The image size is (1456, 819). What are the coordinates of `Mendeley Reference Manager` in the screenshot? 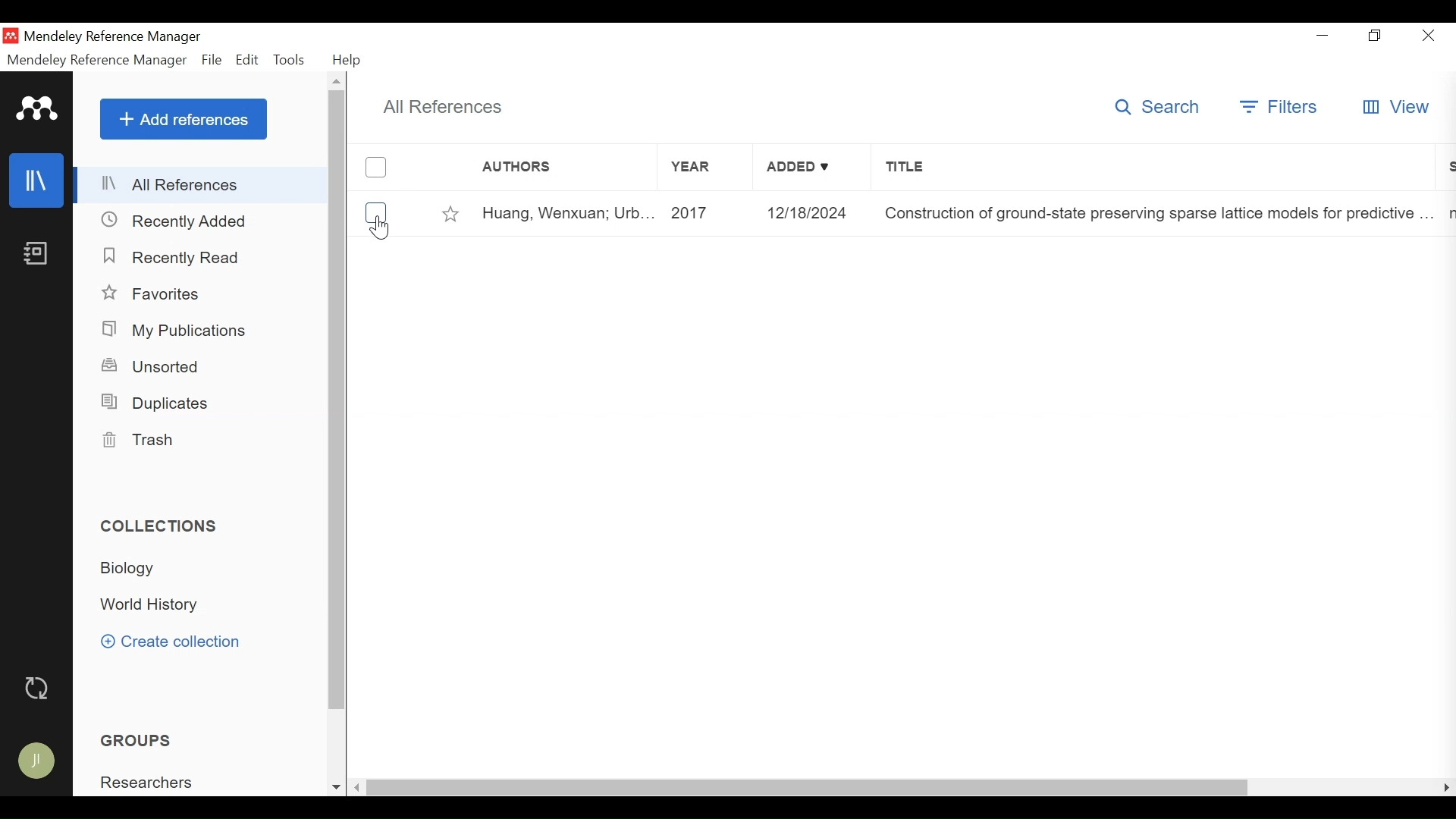 It's located at (96, 61).